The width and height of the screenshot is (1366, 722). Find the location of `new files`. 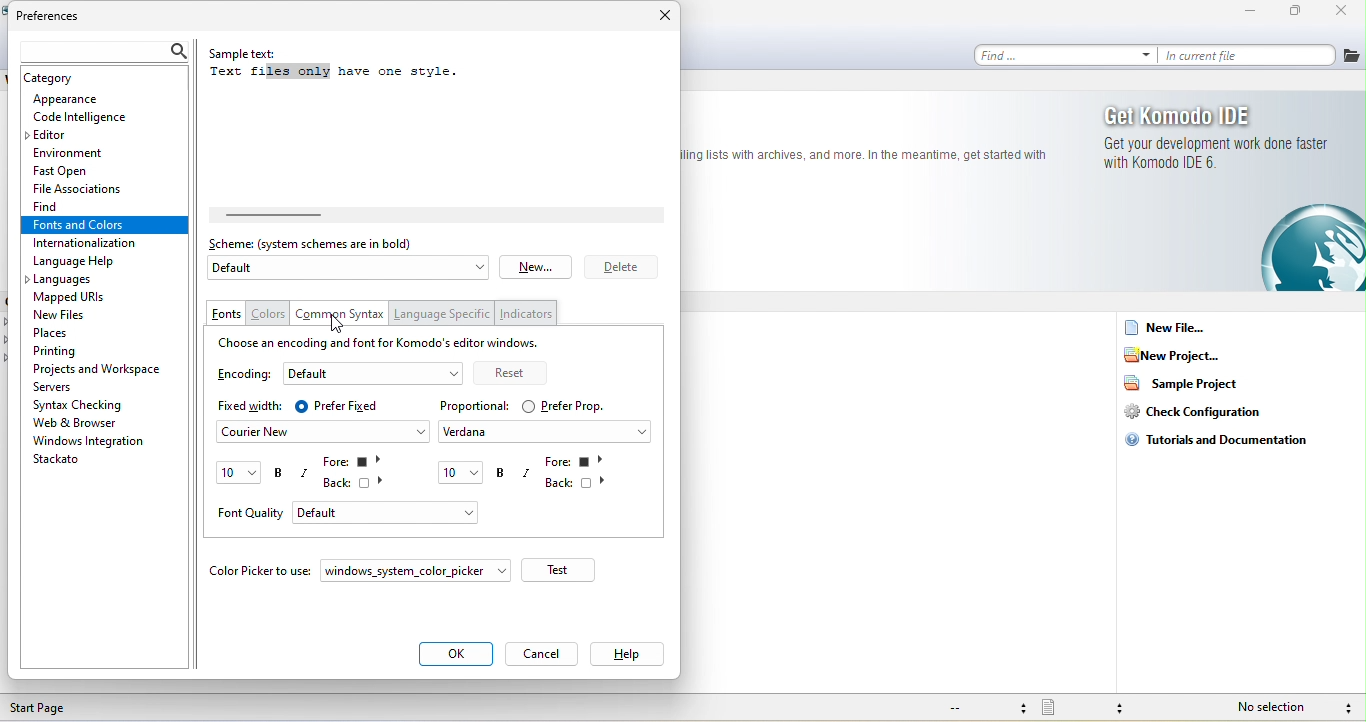

new files is located at coordinates (65, 316).